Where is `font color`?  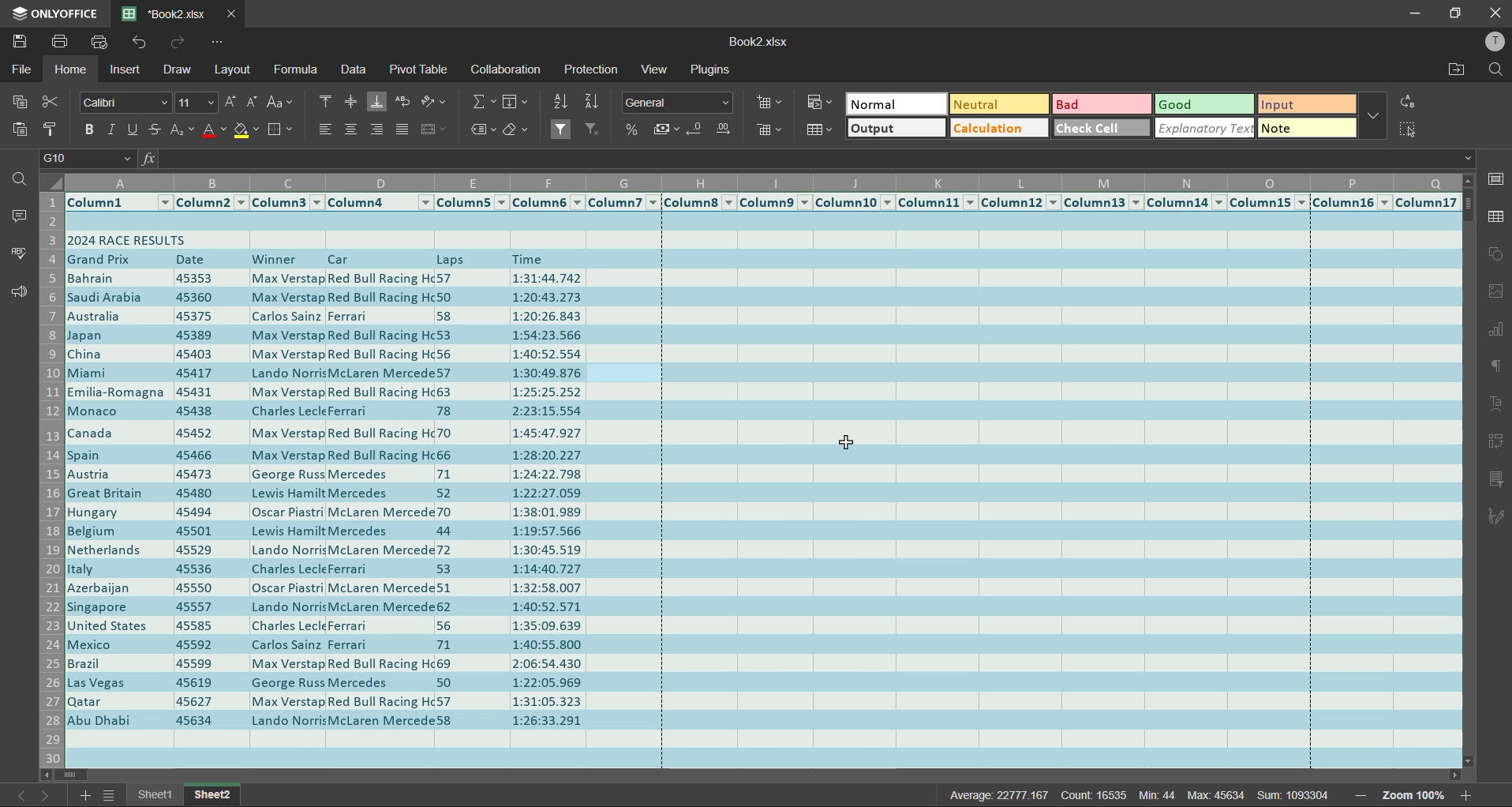 font color is located at coordinates (214, 133).